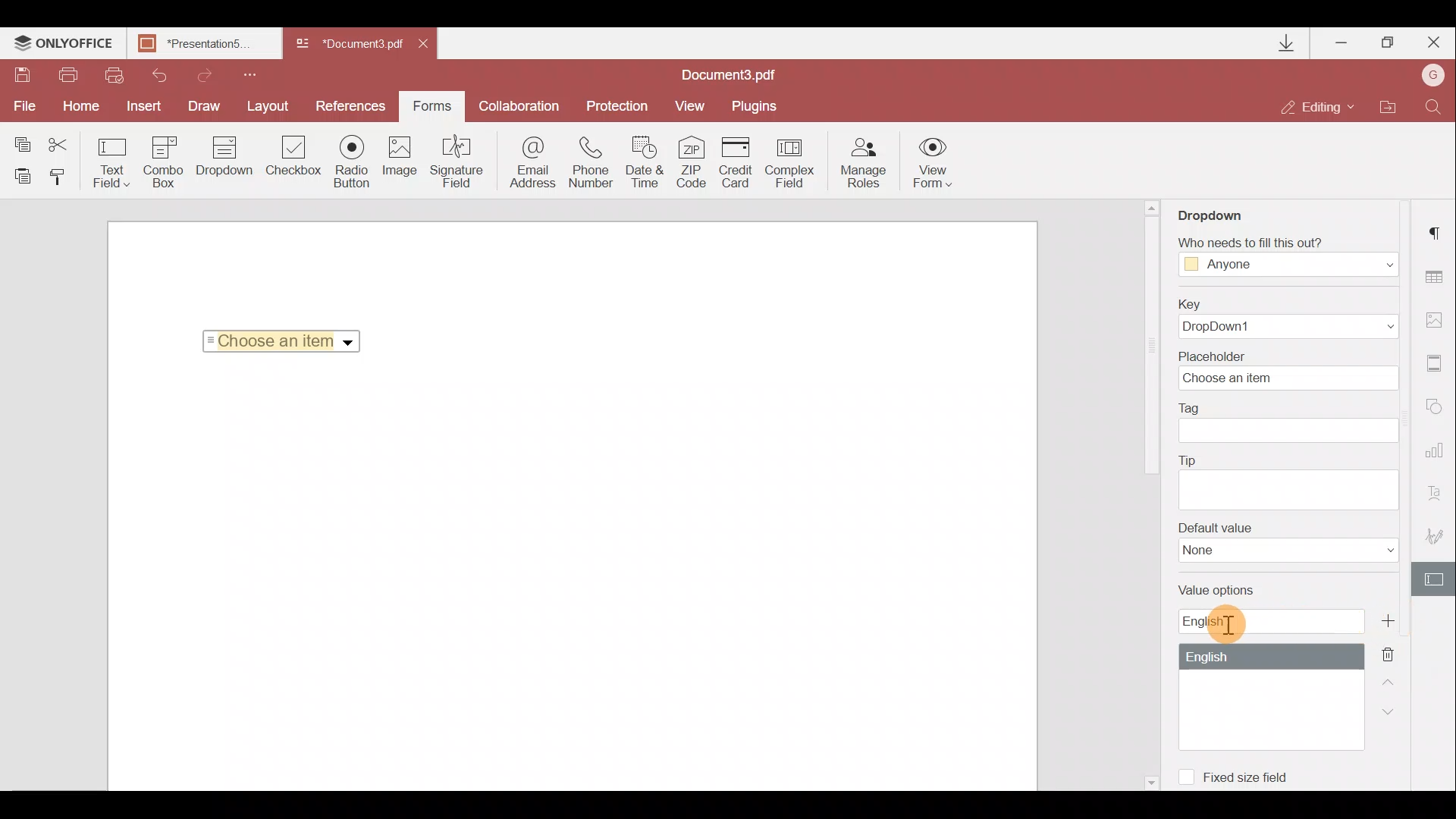  Describe the element at coordinates (1343, 39) in the screenshot. I see `Minimize` at that location.